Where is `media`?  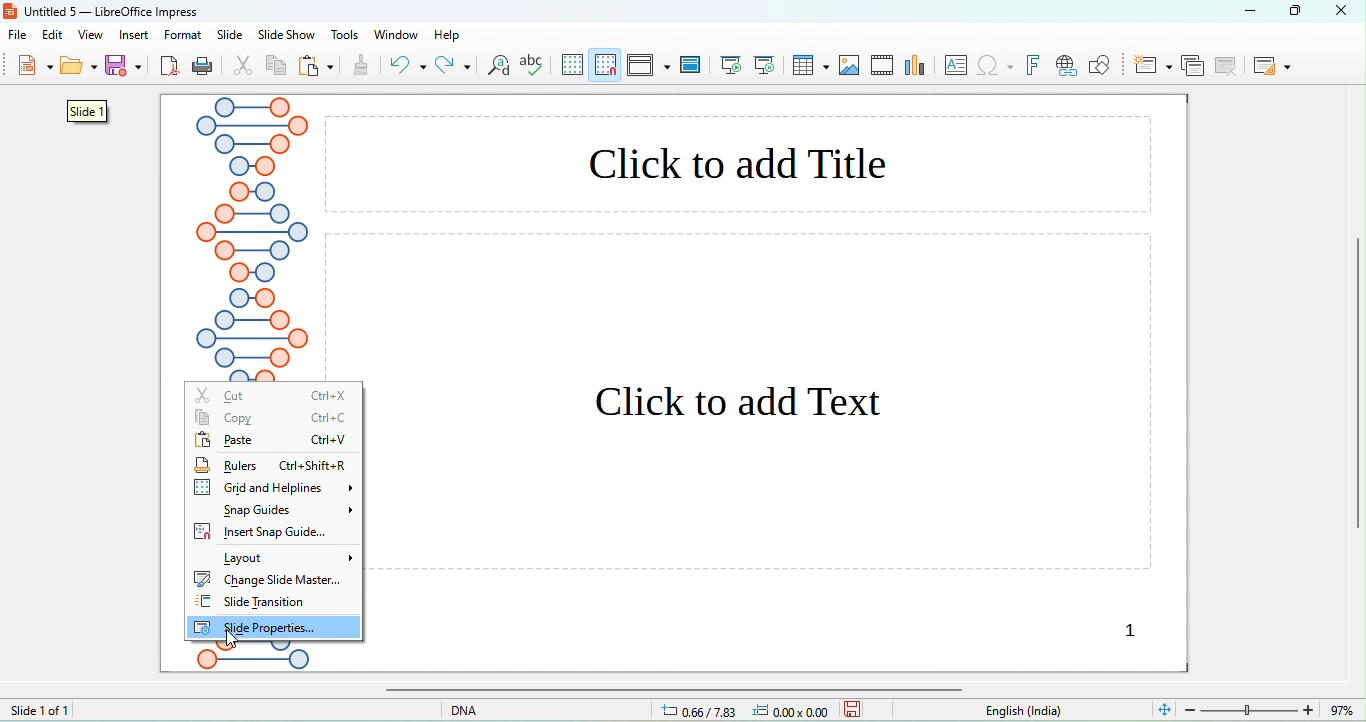 media is located at coordinates (883, 63).